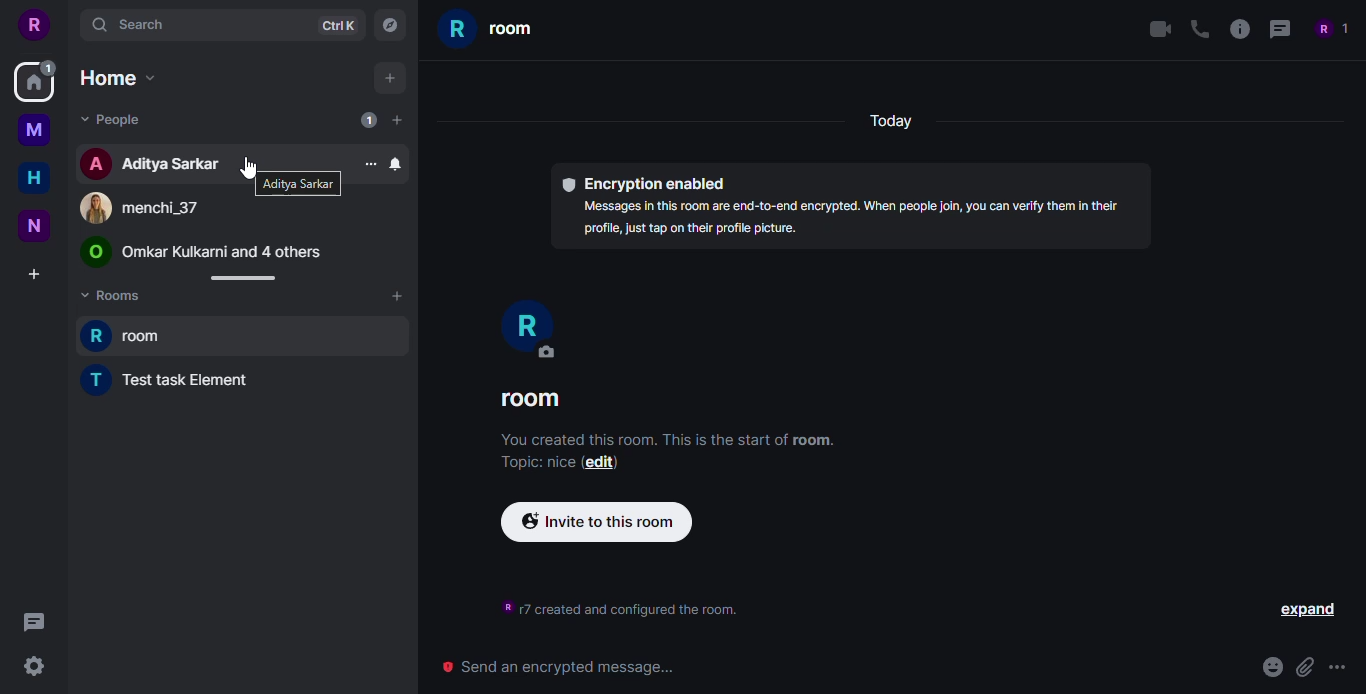 The height and width of the screenshot is (694, 1366). I want to click on profile pic, so click(527, 329).